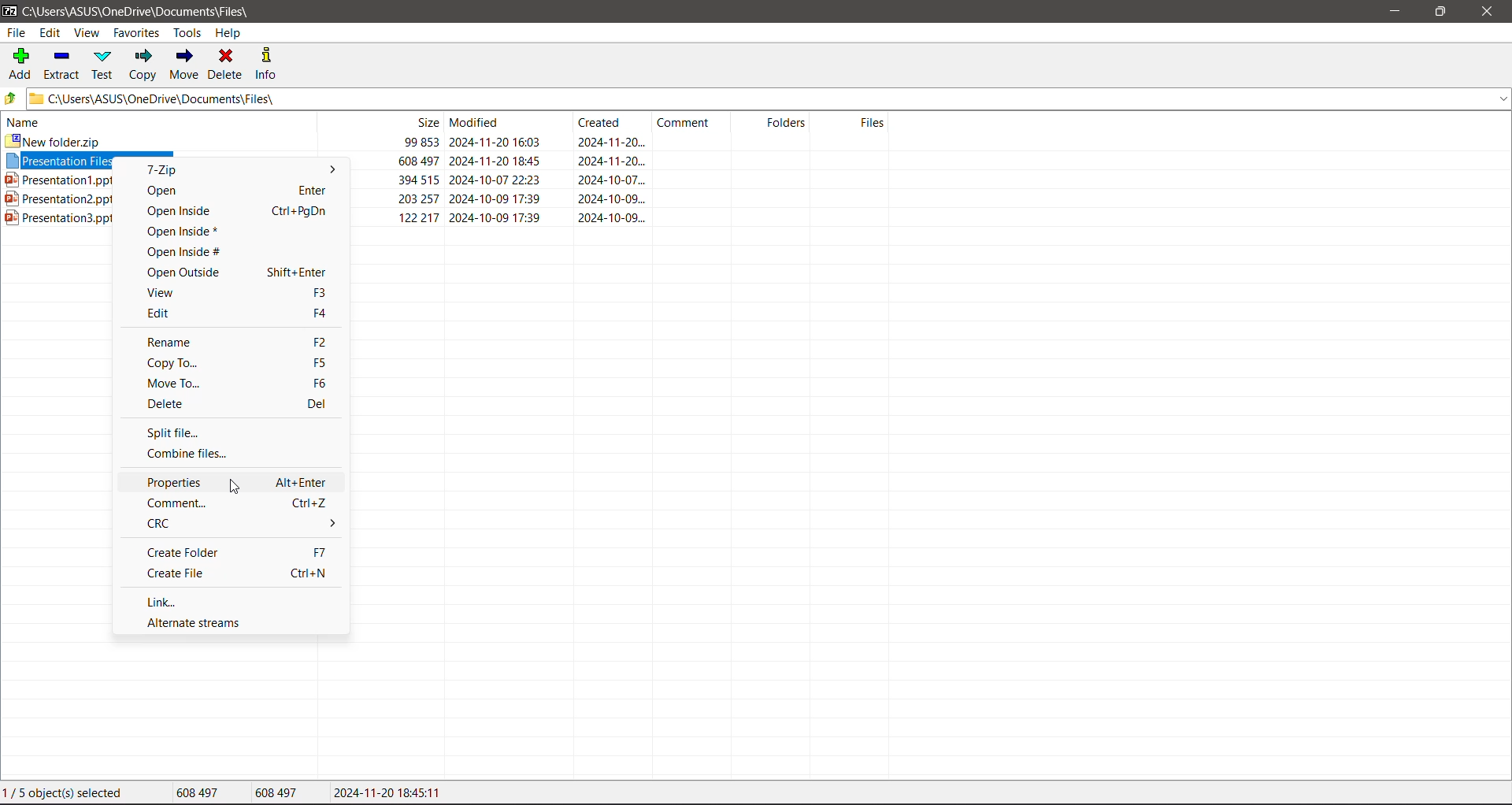 This screenshot has width=1512, height=805. I want to click on Open, so click(239, 190).